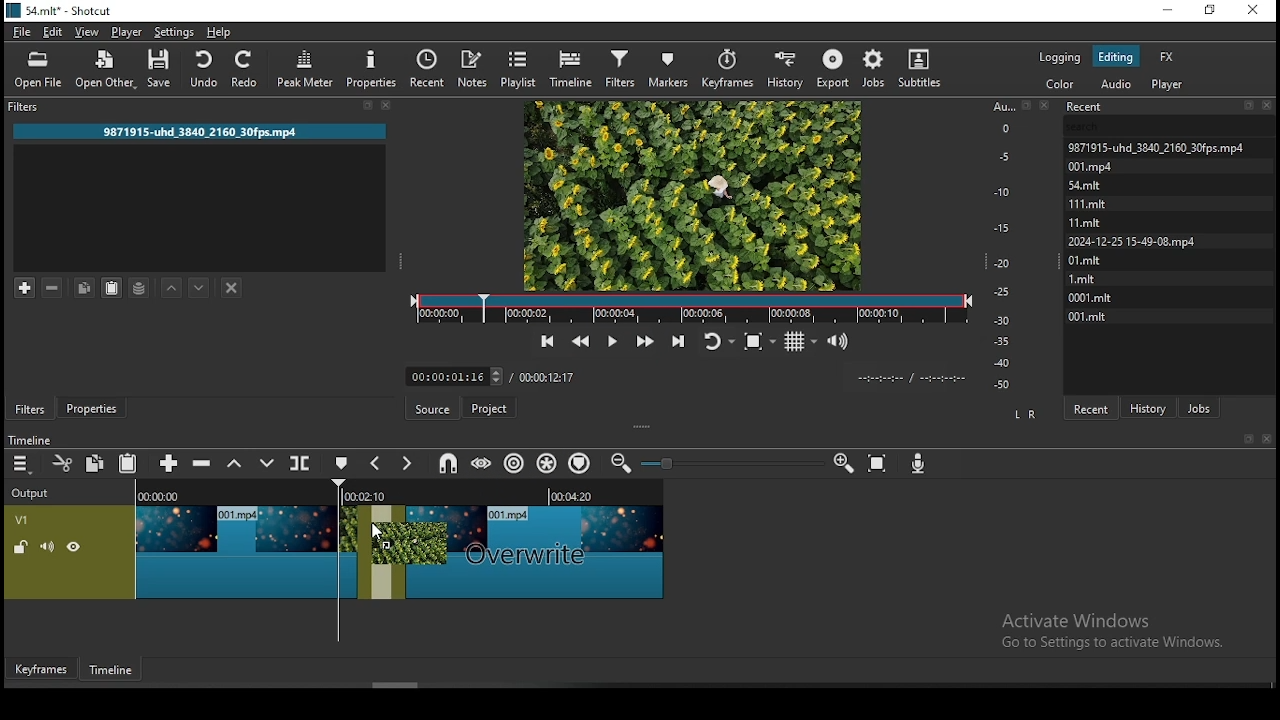  What do you see at coordinates (59, 462) in the screenshot?
I see `cut` at bounding box center [59, 462].